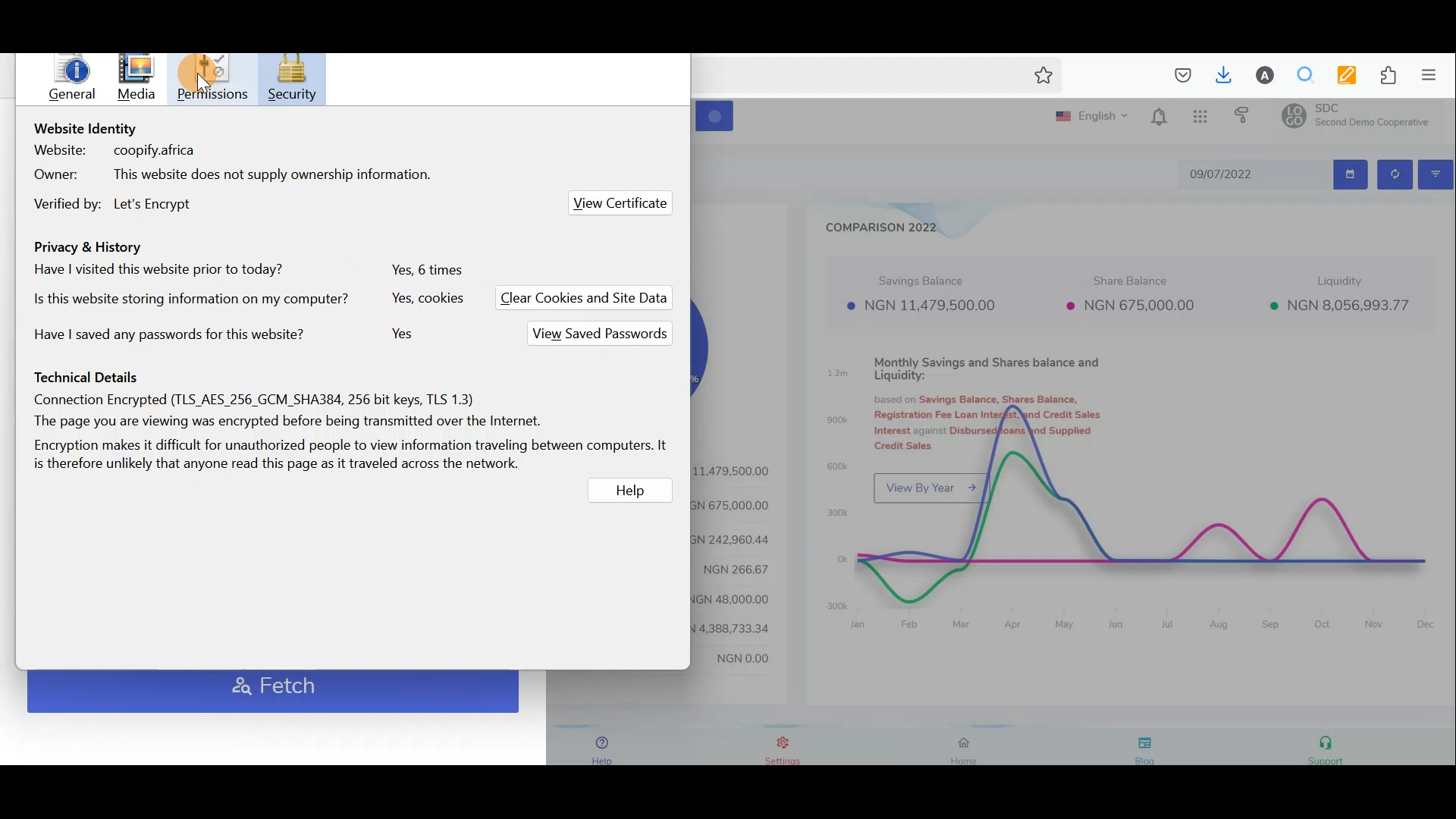  What do you see at coordinates (620, 201) in the screenshot?
I see `View certificate` at bounding box center [620, 201].